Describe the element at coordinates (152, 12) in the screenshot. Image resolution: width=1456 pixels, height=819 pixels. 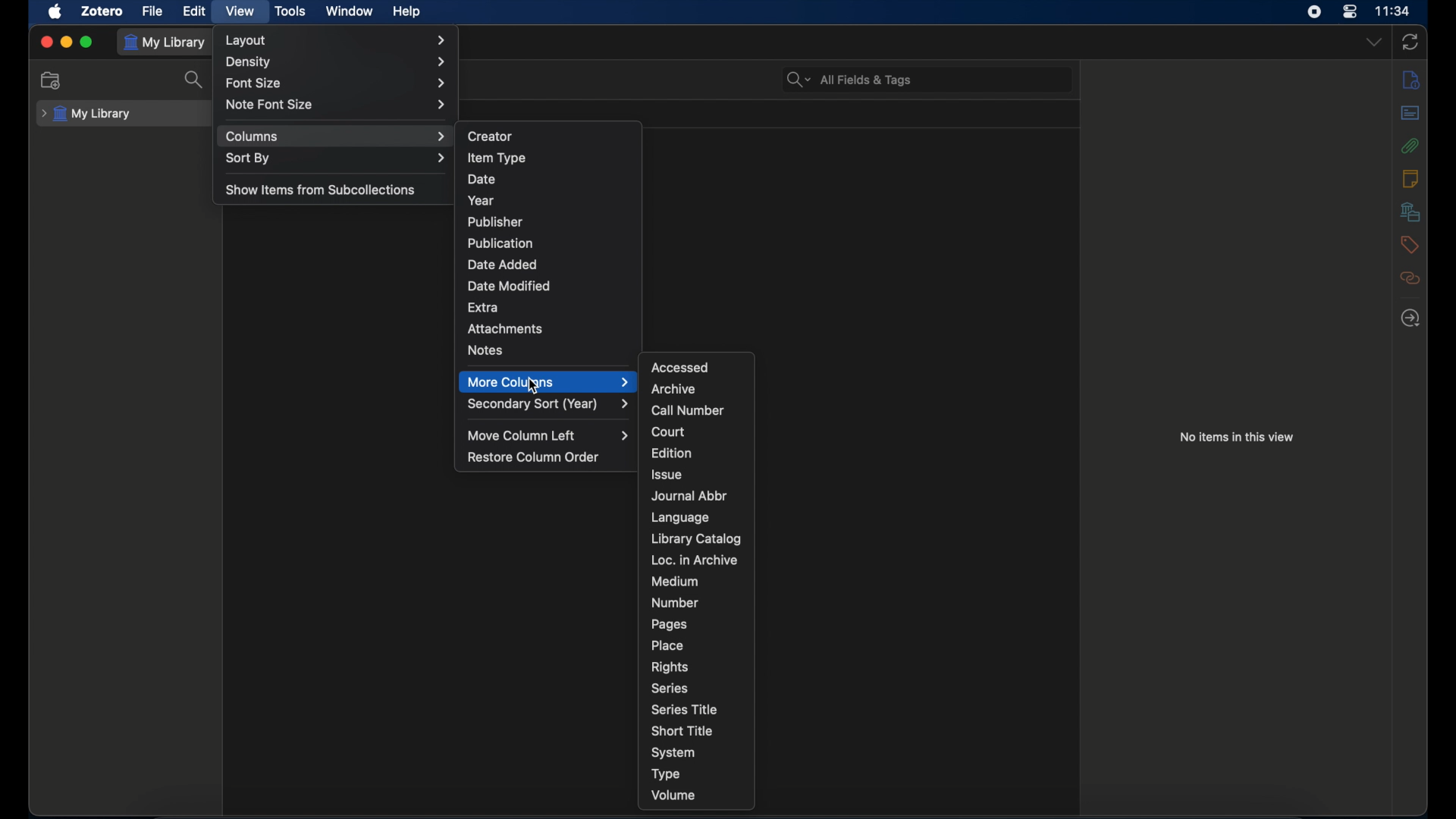
I see `file` at that location.